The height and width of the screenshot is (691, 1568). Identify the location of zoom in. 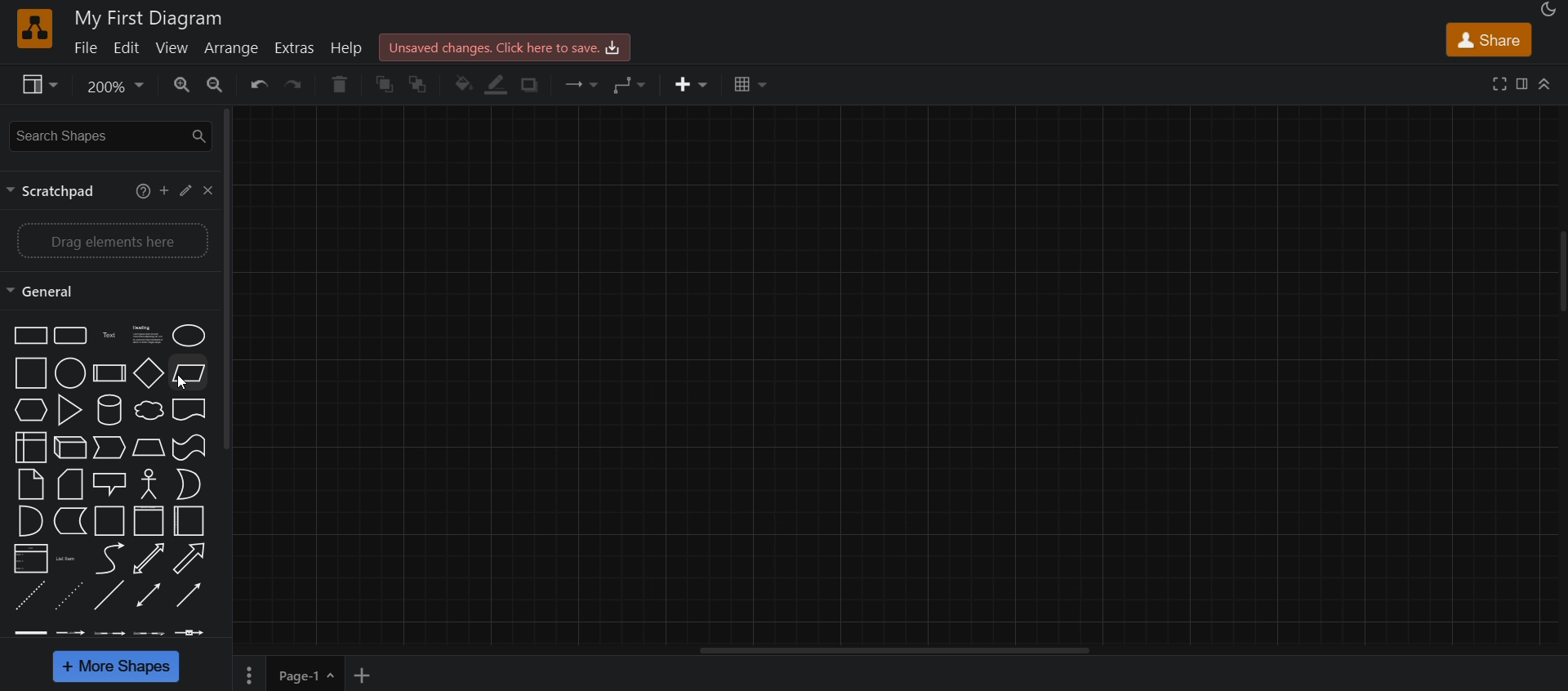
(181, 86).